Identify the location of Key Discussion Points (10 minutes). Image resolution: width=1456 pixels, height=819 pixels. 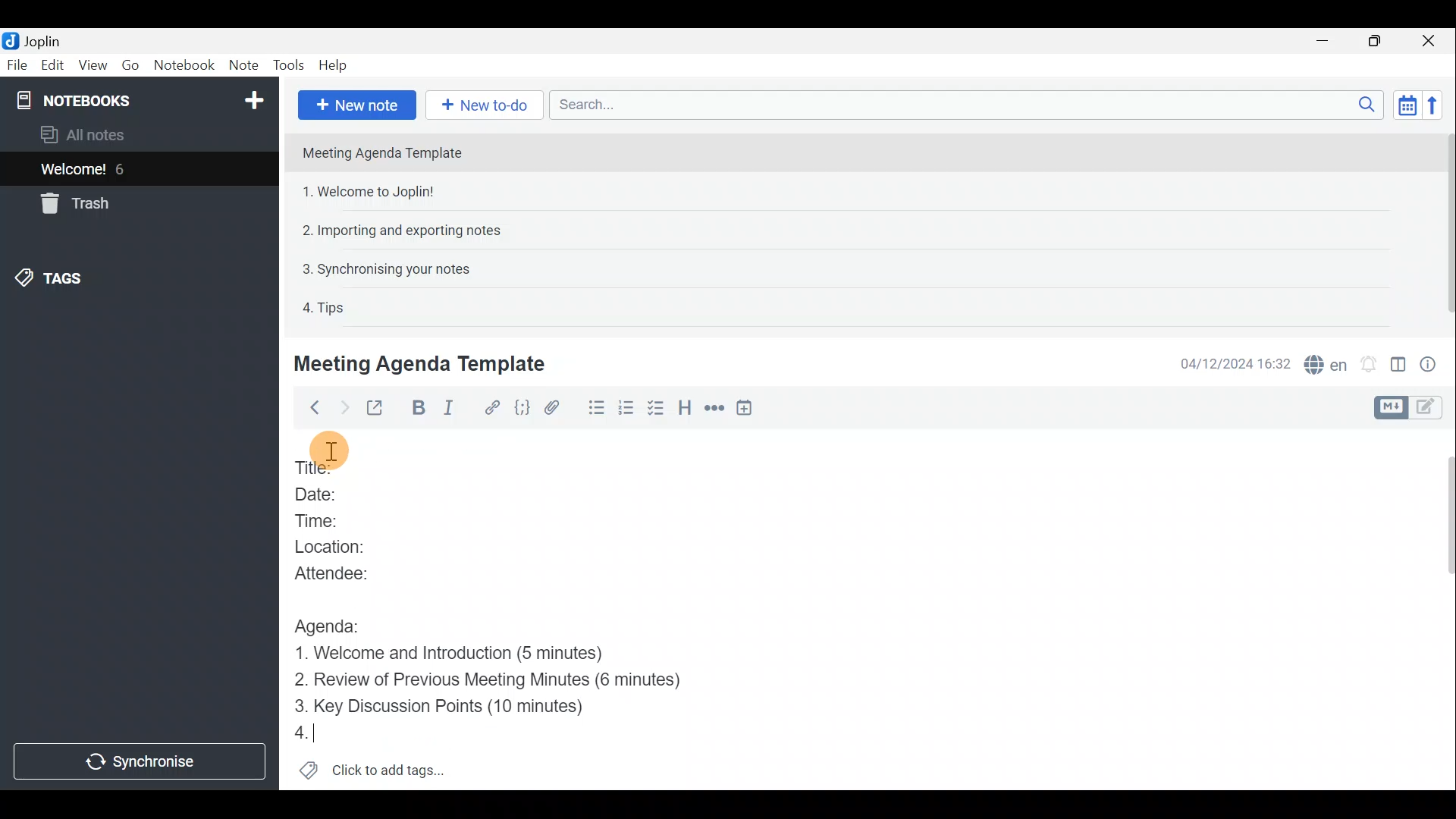
(449, 708).